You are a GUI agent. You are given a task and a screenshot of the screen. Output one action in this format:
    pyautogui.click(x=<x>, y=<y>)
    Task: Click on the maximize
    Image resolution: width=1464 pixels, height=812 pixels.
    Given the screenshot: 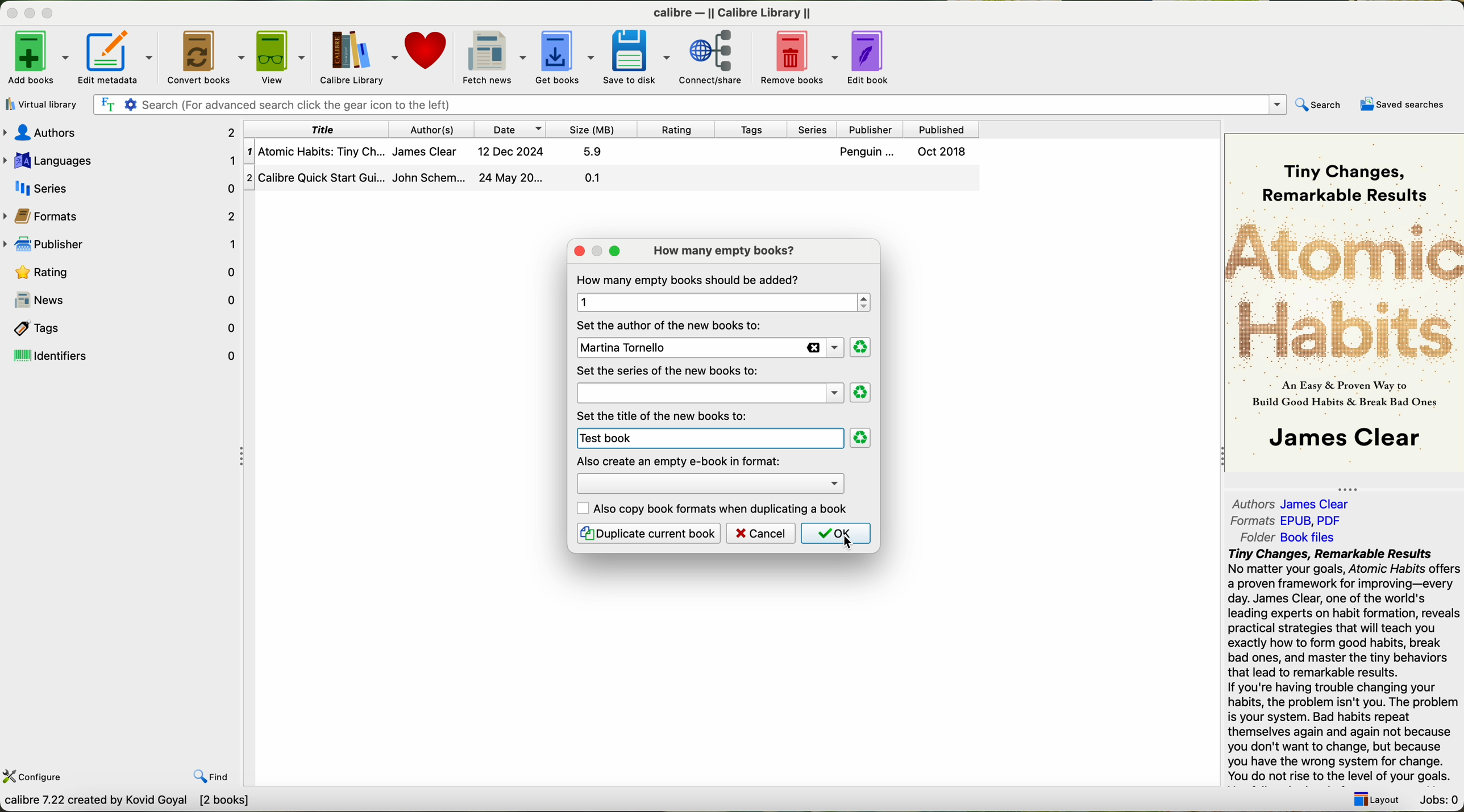 What is the action you would take?
    pyautogui.click(x=615, y=252)
    